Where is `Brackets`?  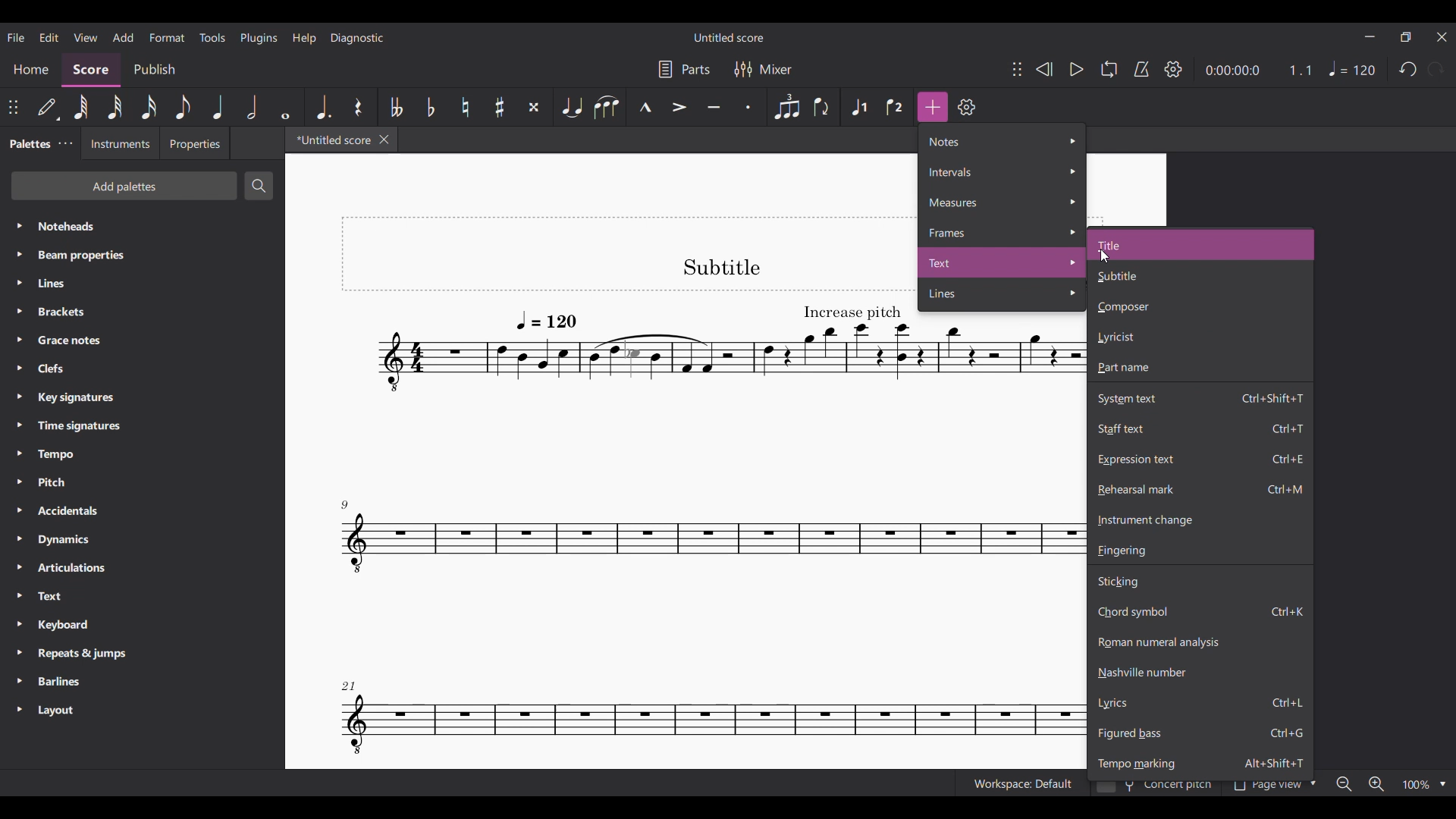
Brackets is located at coordinates (143, 312).